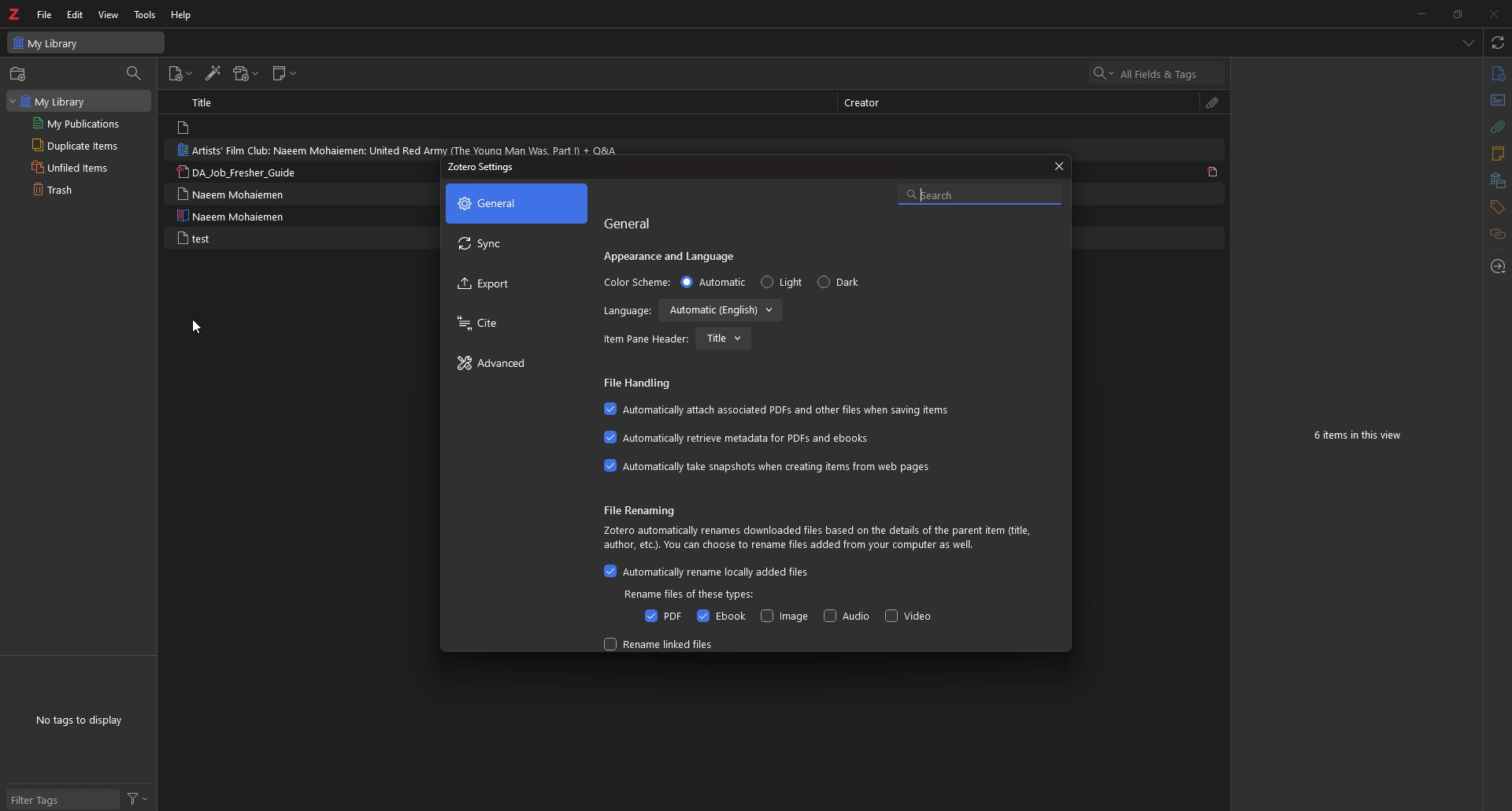  Describe the element at coordinates (1492, 13) in the screenshot. I see `close` at that location.